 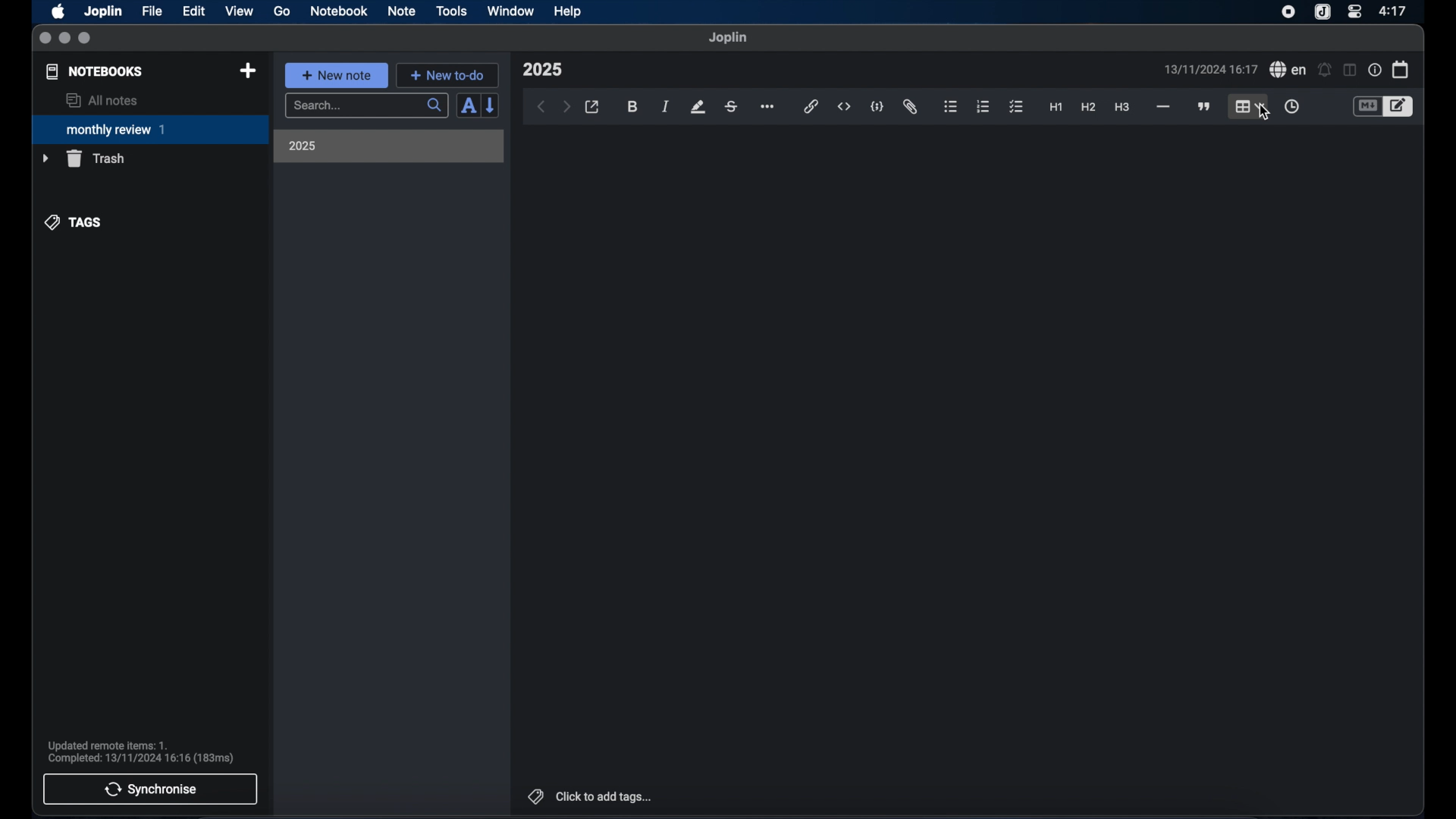 I want to click on go, so click(x=282, y=11).